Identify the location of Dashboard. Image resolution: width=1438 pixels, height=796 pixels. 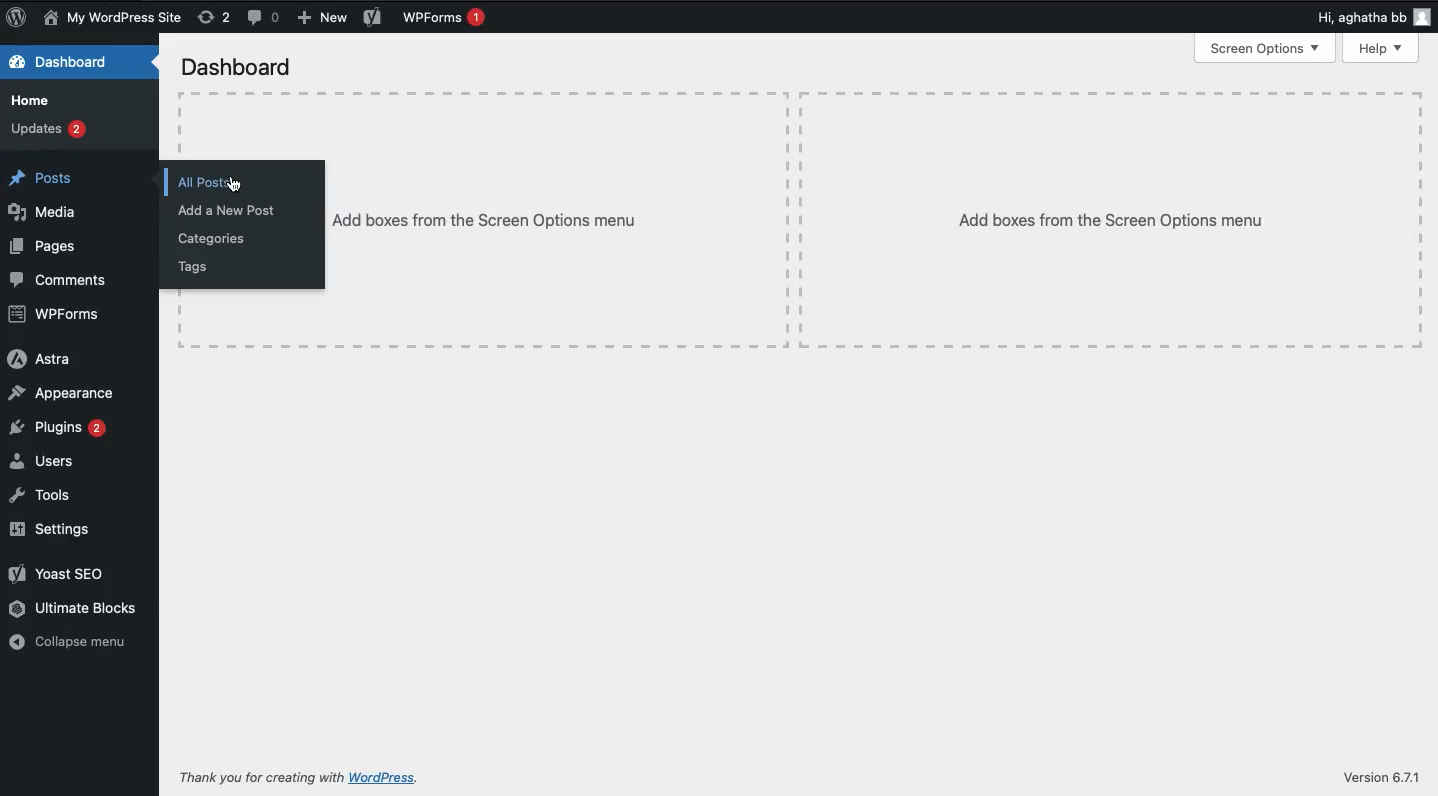
(235, 67).